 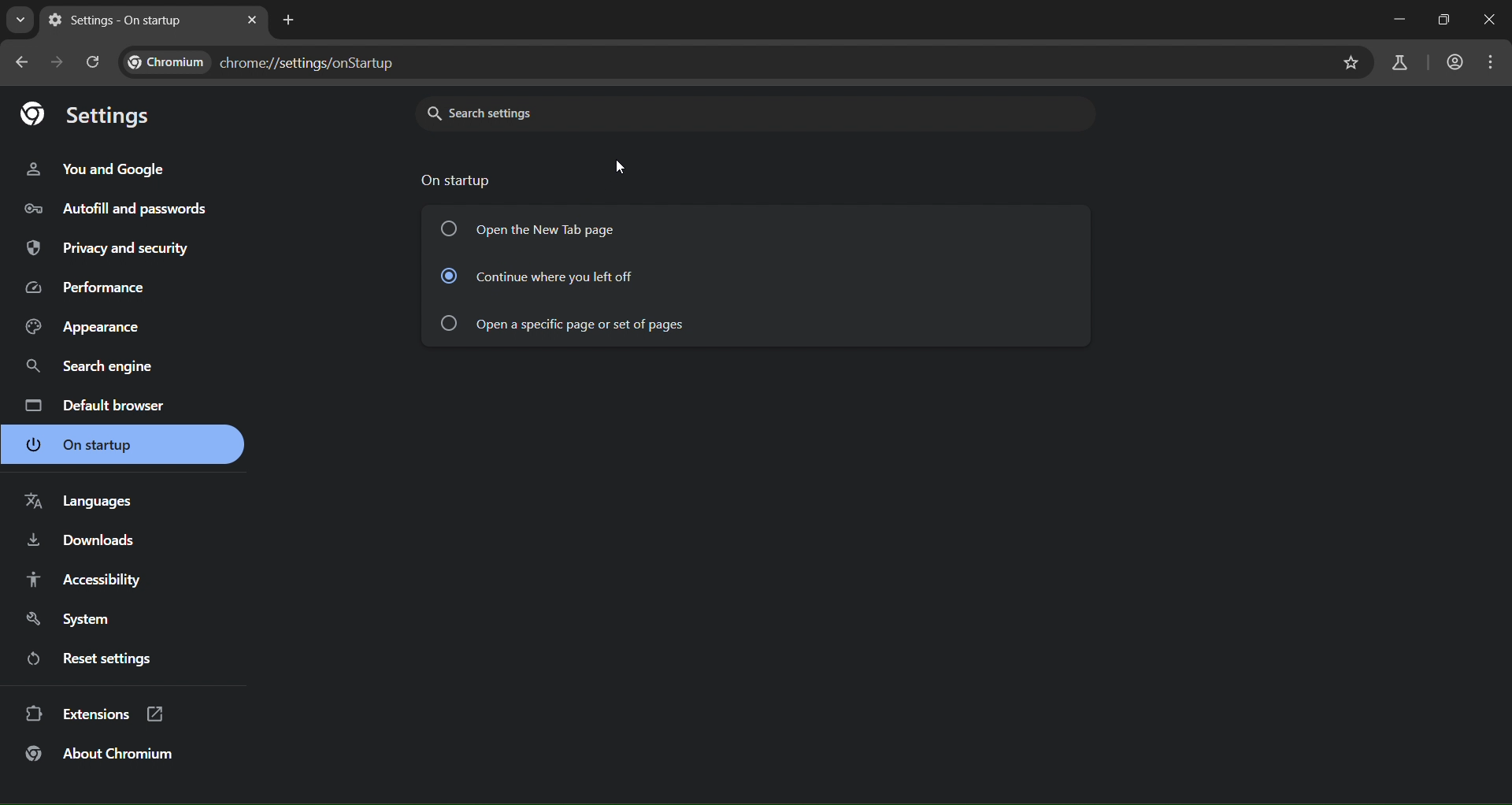 What do you see at coordinates (623, 165) in the screenshot?
I see `cursor` at bounding box center [623, 165].